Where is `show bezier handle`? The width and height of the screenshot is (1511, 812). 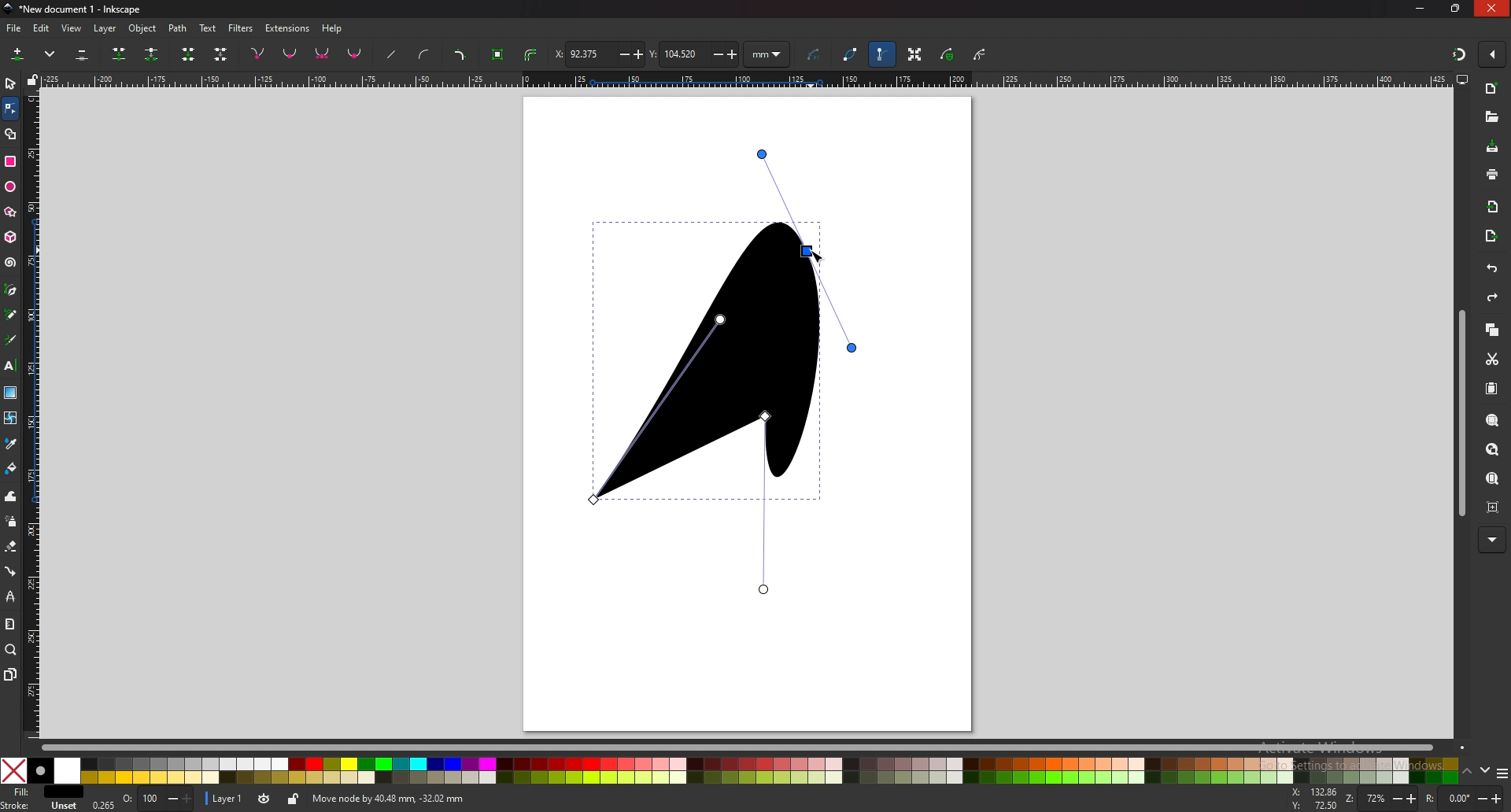
show bezier handle is located at coordinates (882, 54).